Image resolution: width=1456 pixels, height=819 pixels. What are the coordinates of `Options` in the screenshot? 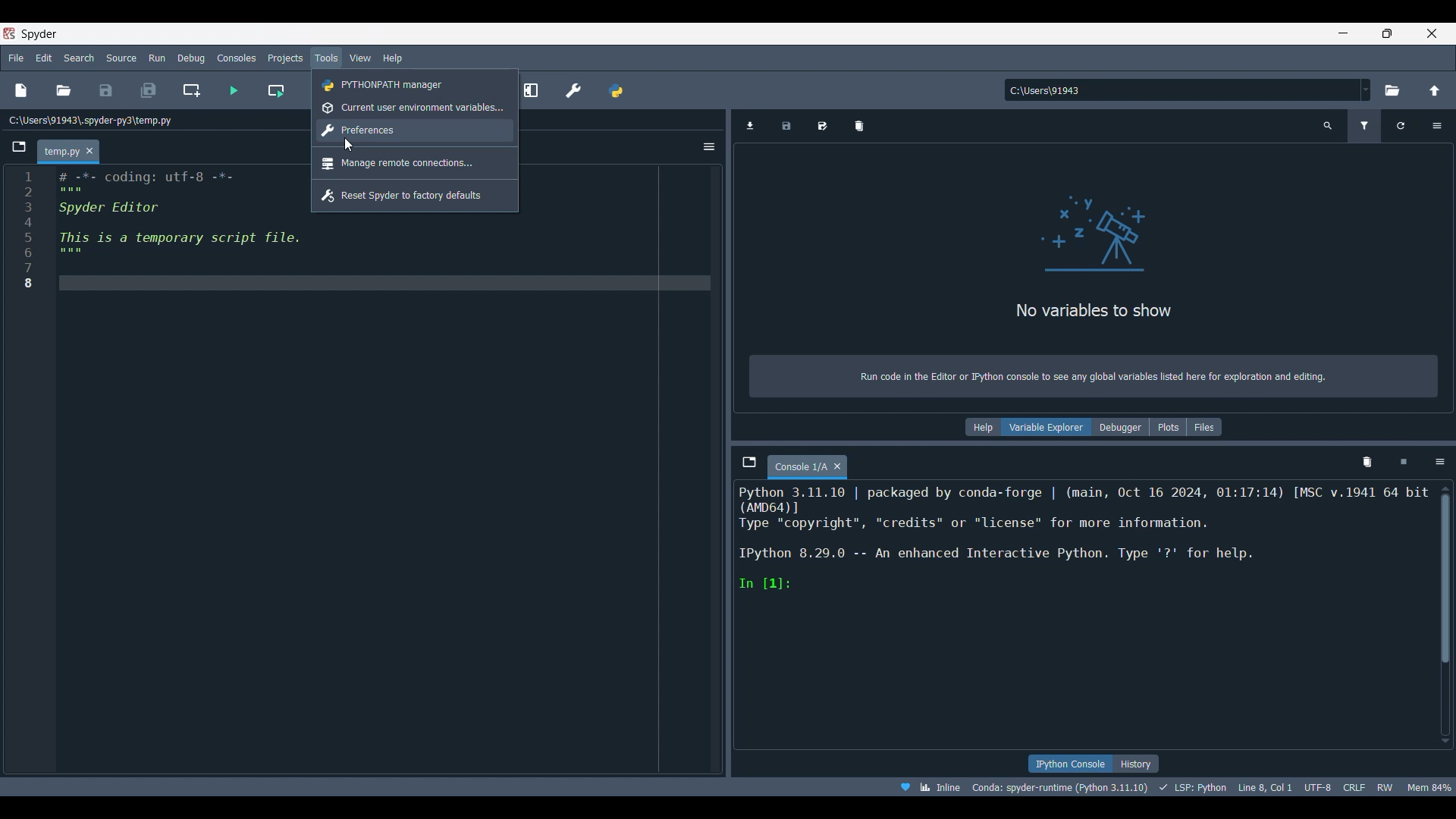 It's located at (1437, 126).